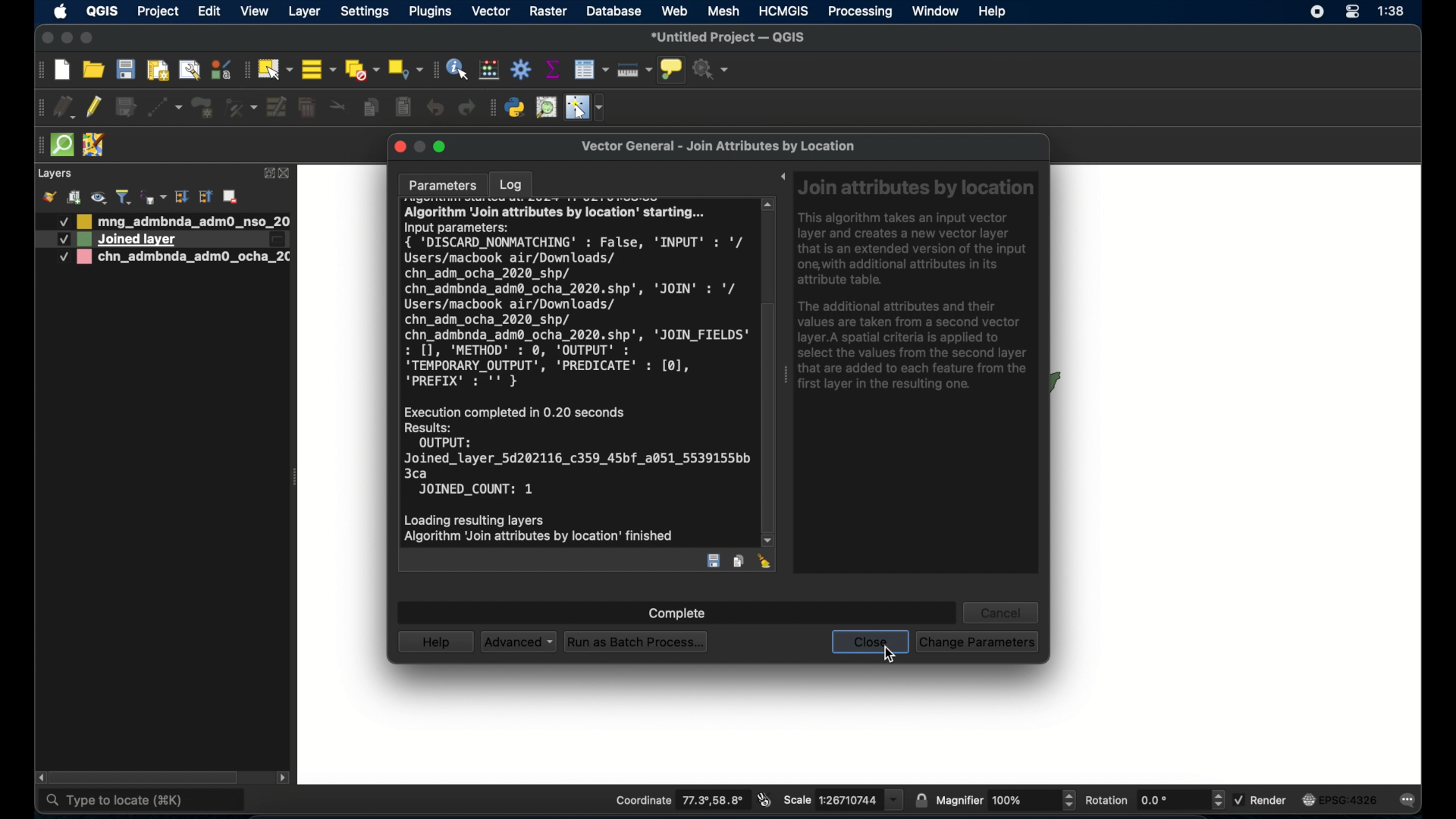 The image size is (1456, 819). I want to click on expand, so click(182, 196).